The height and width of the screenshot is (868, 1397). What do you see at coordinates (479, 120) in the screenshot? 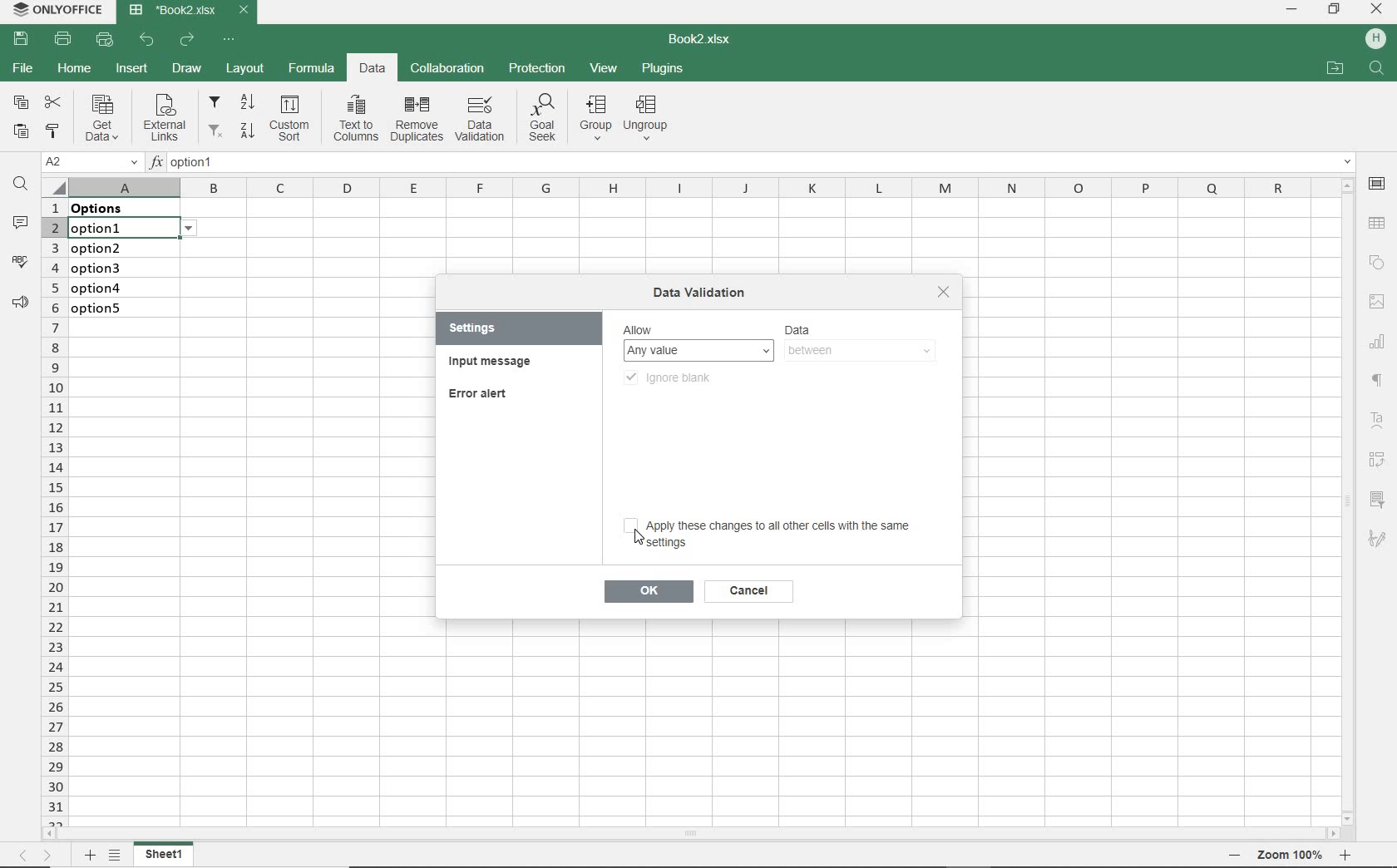
I see `DATA VALIDATION` at bounding box center [479, 120].